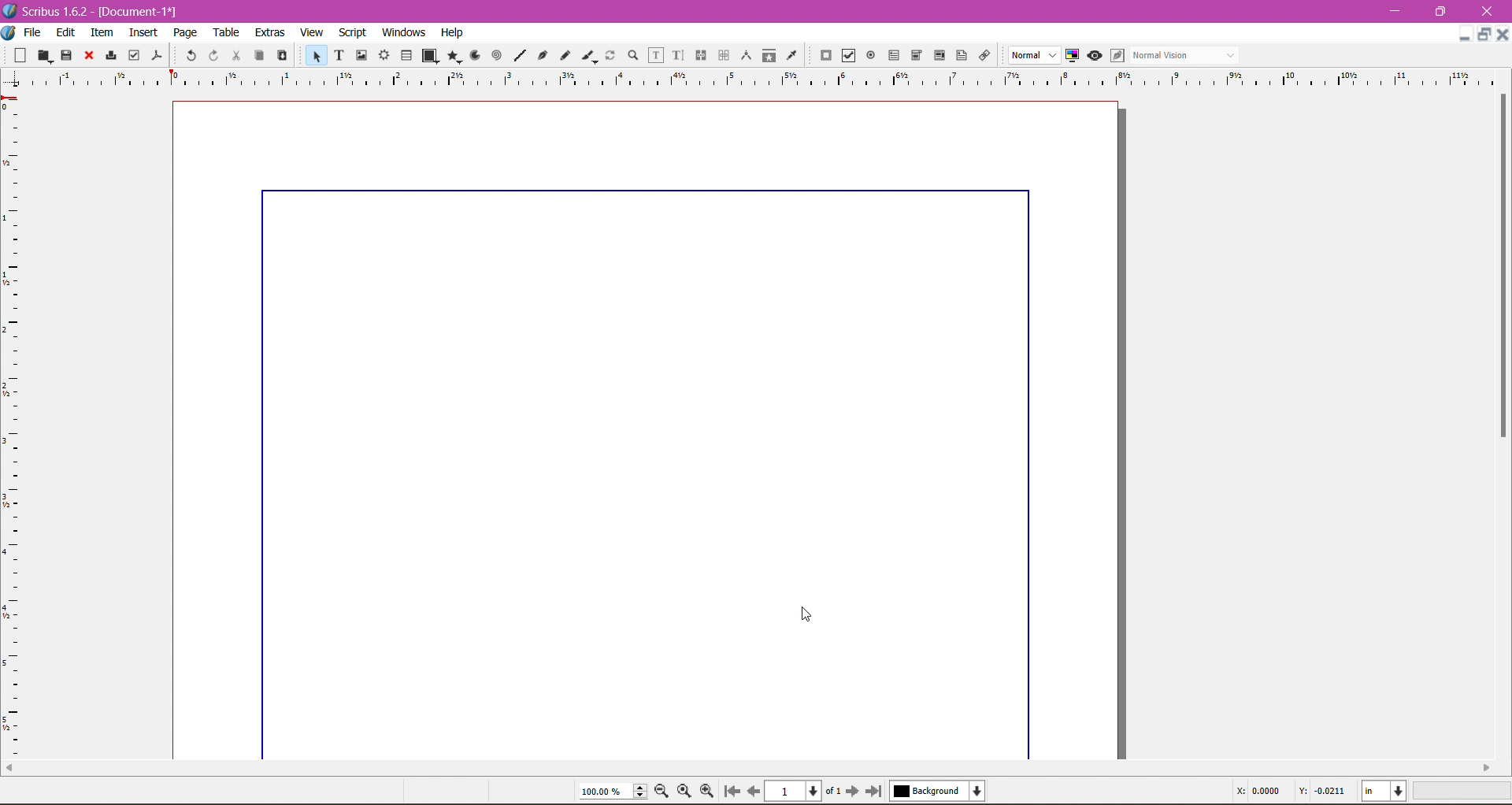 The height and width of the screenshot is (805, 1512). Describe the element at coordinates (188, 57) in the screenshot. I see `Undo` at that location.